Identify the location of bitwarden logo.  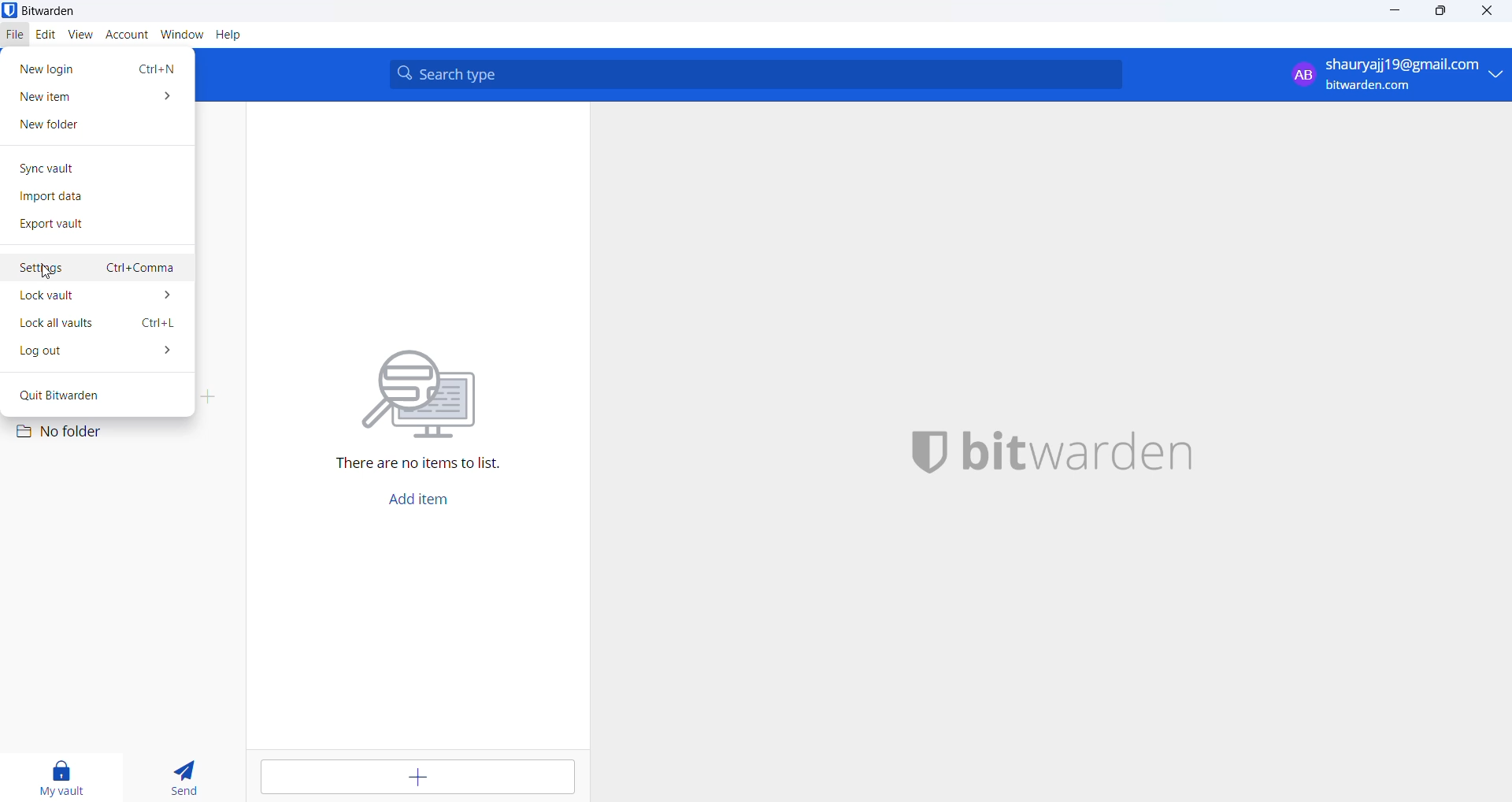
(1067, 452).